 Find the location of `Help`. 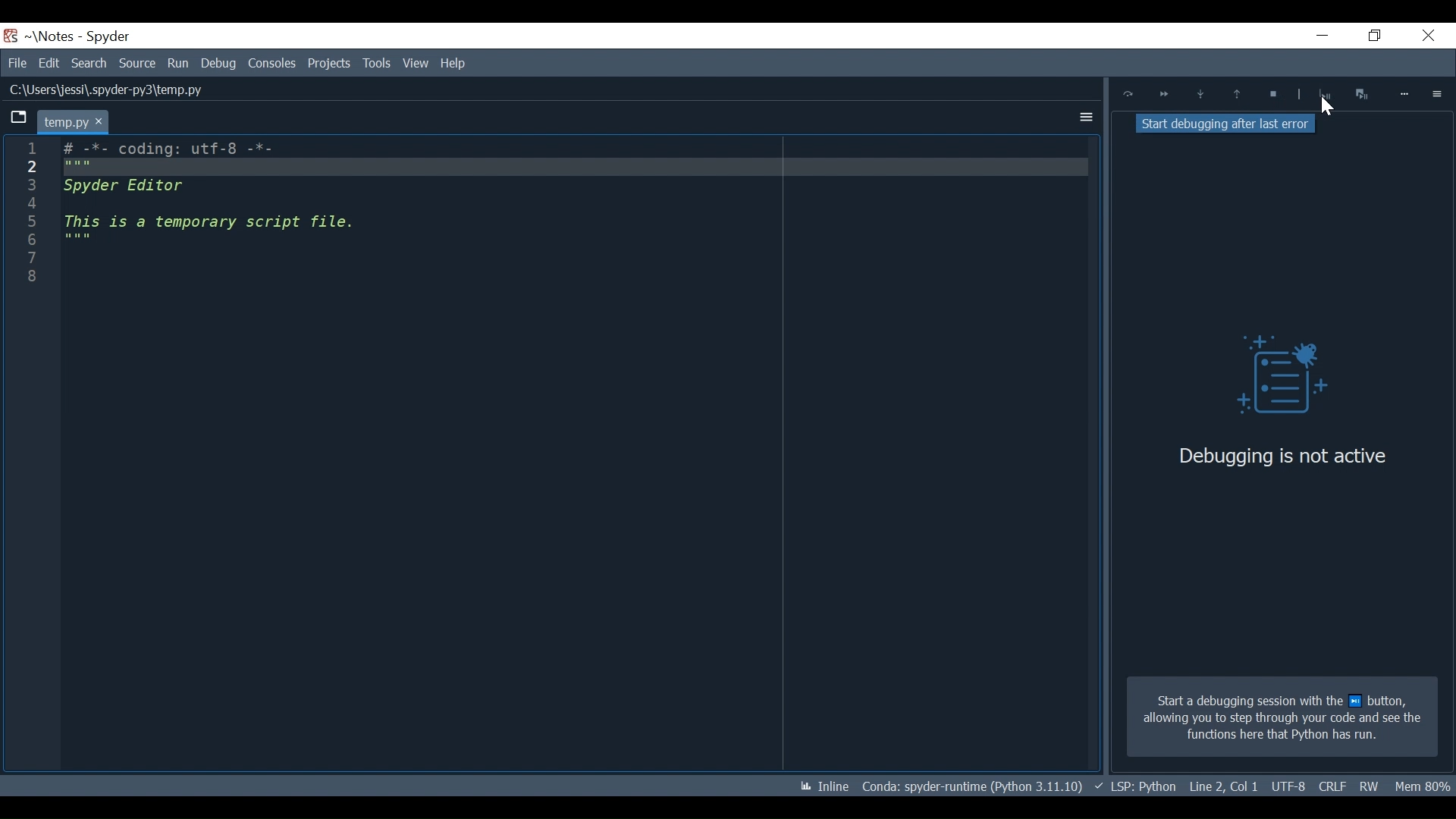

Help is located at coordinates (414, 64).